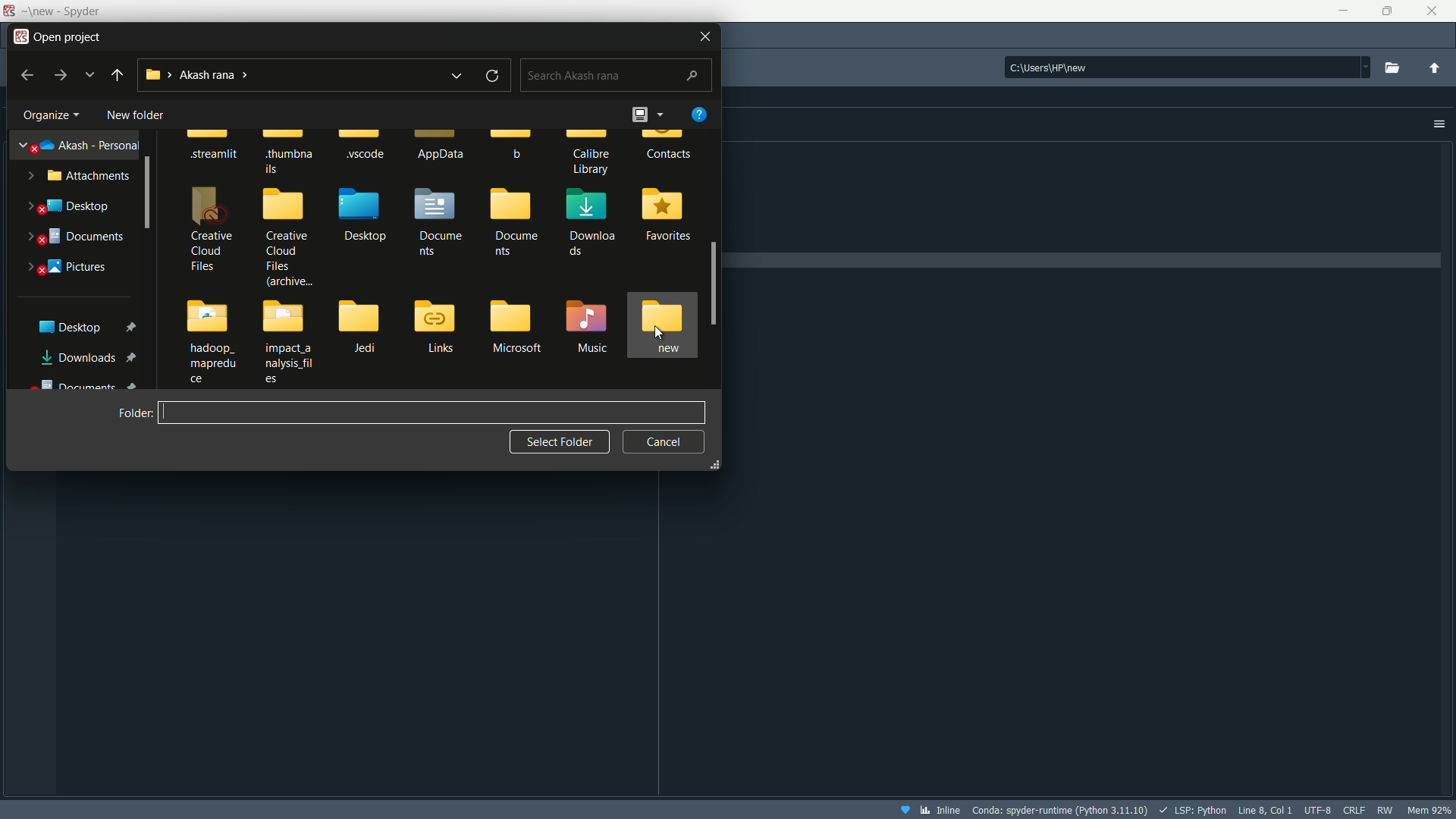  Describe the element at coordinates (90, 74) in the screenshot. I see `previous locations` at that location.